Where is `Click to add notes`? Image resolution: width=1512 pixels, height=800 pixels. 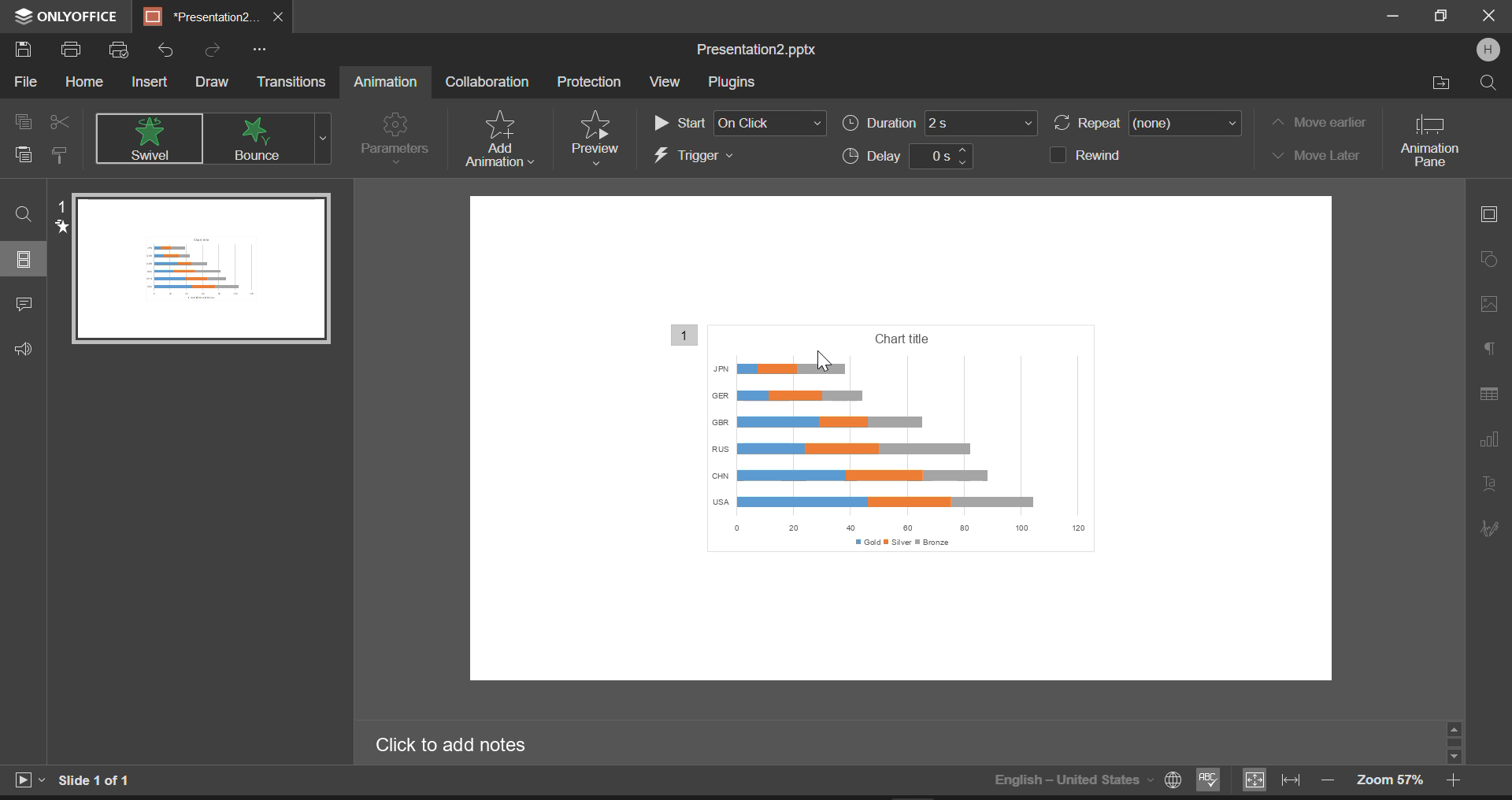 Click to add notes is located at coordinates (461, 745).